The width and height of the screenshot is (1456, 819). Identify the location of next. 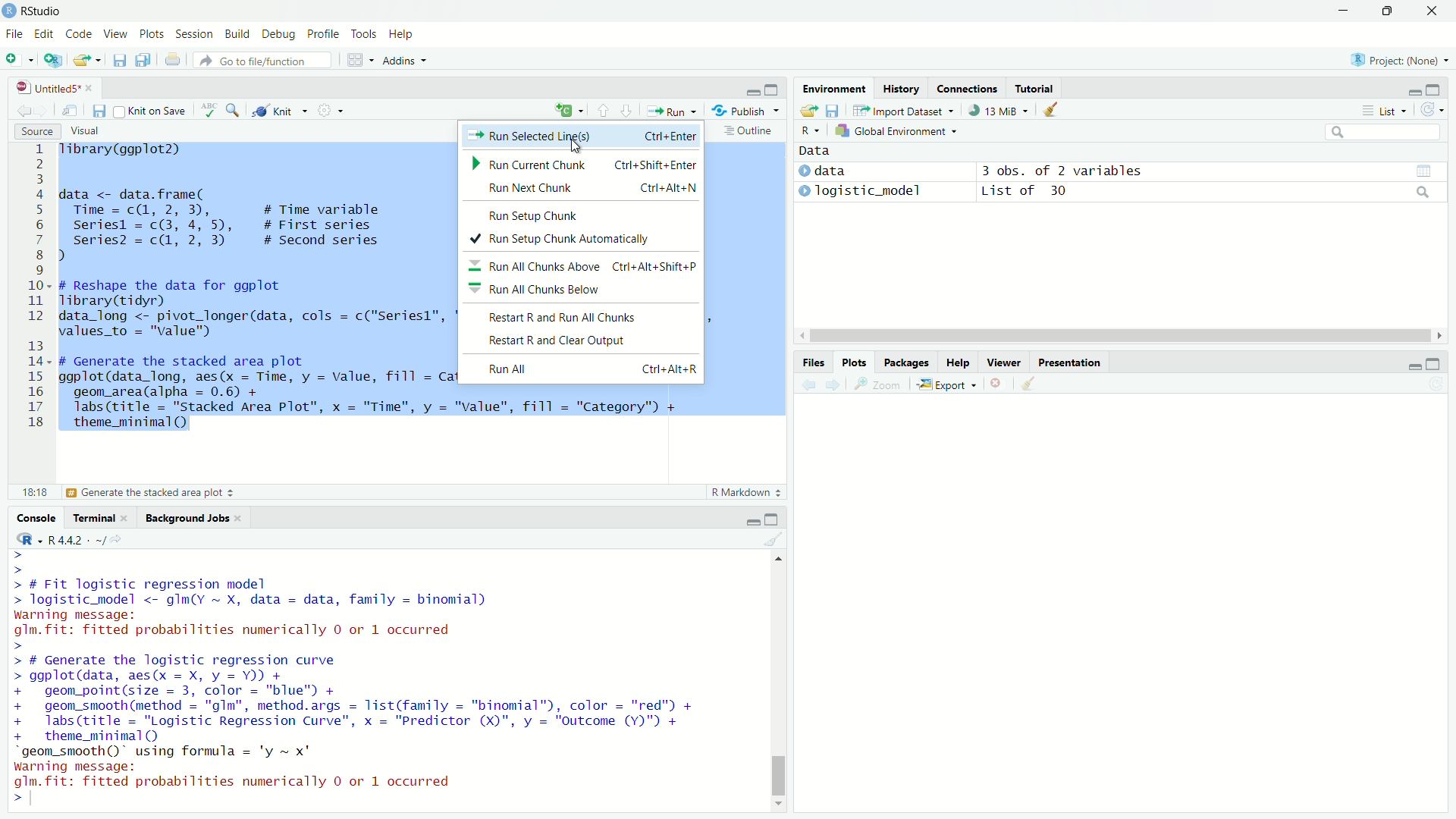
(834, 388).